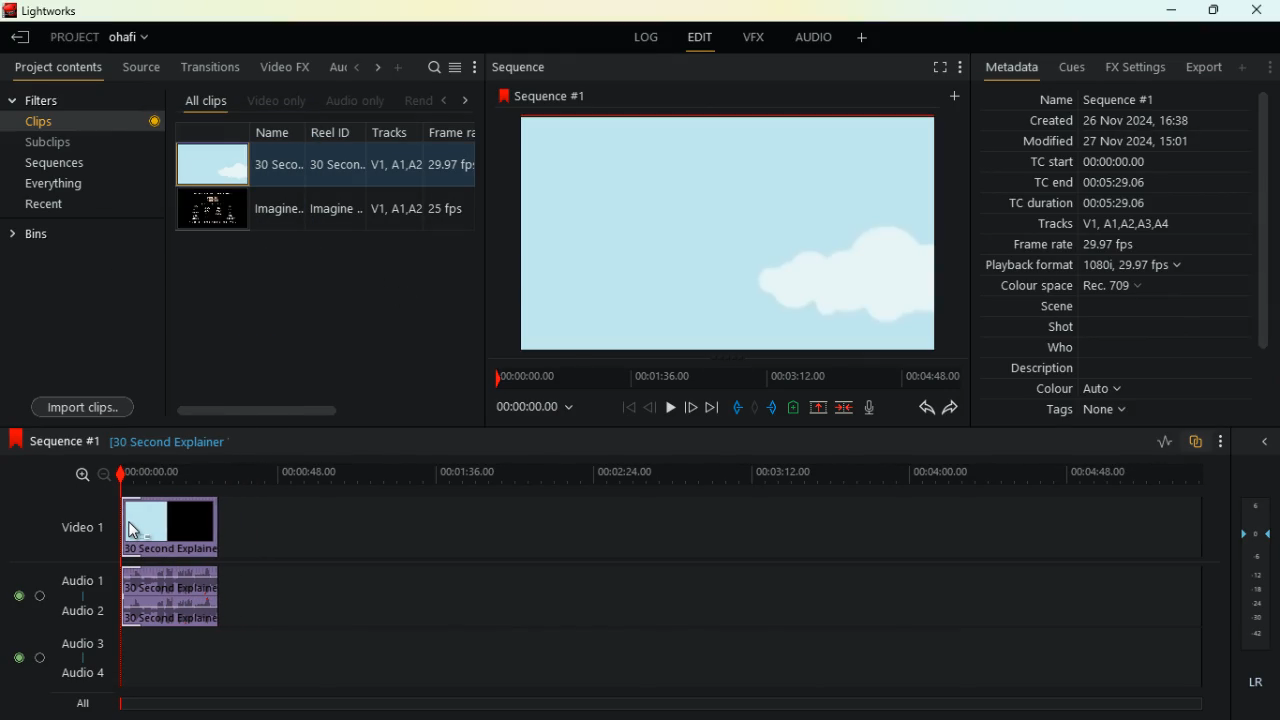  Describe the element at coordinates (420, 101) in the screenshot. I see `rend` at that location.